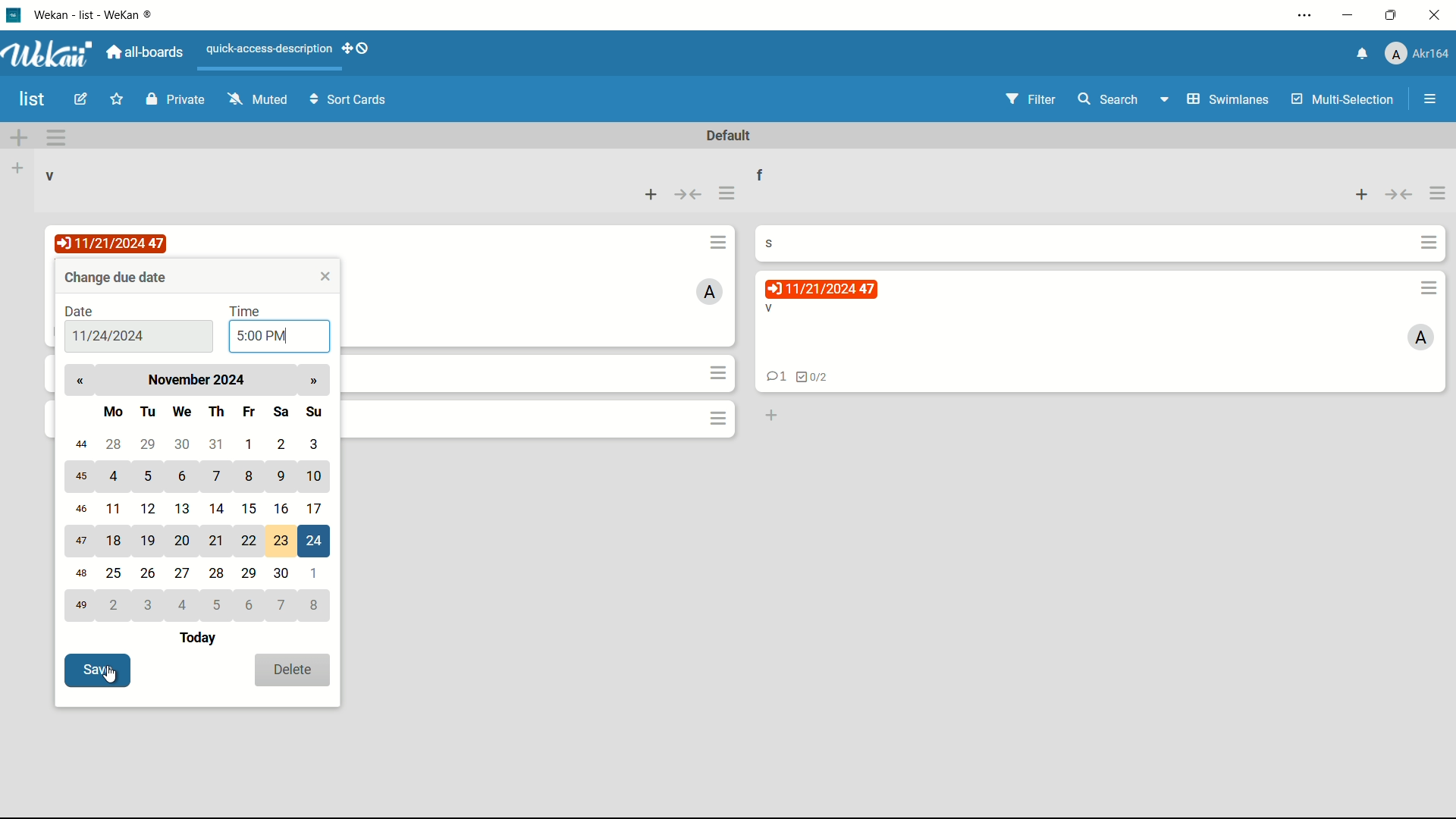 The image size is (1456, 819). What do you see at coordinates (146, 52) in the screenshot?
I see `all boards` at bounding box center [146, 52].